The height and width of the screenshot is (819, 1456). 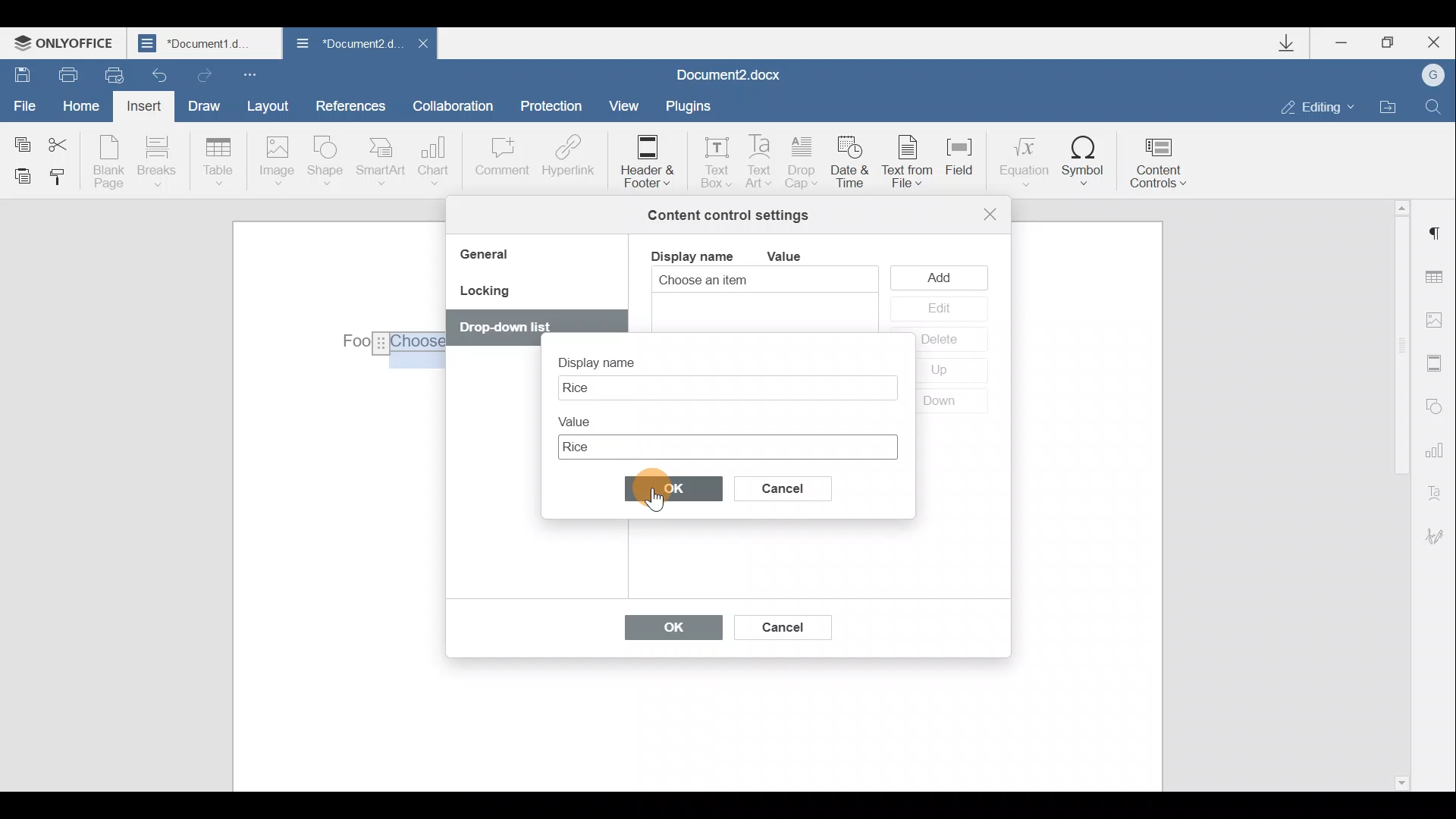 What do you see at coordinates (1389, 43) in the screenshot?
I see `Maximize` at bounding box center [1389, 43].